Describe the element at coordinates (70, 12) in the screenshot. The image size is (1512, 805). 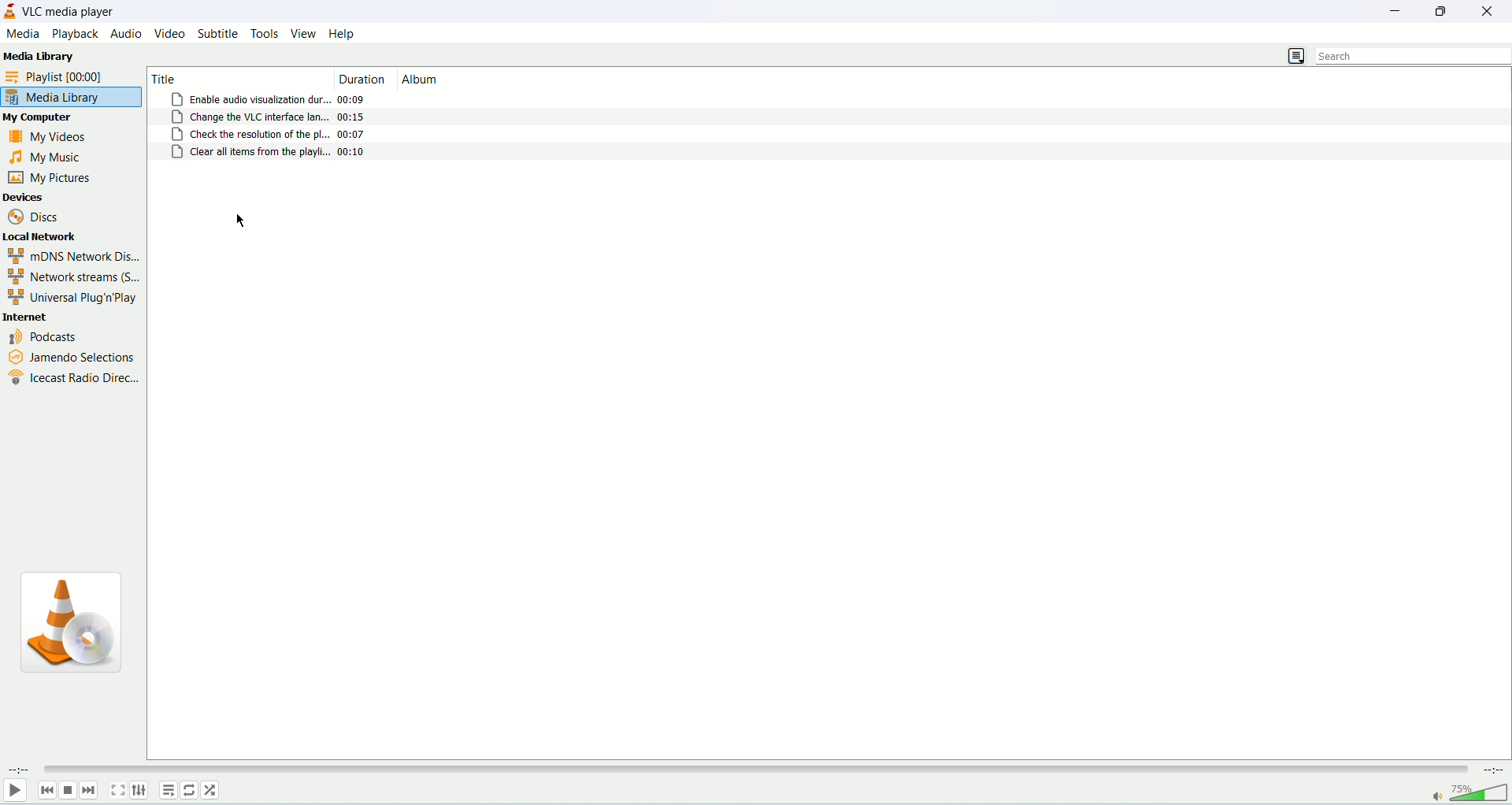
I see `vlc media player` at that location.